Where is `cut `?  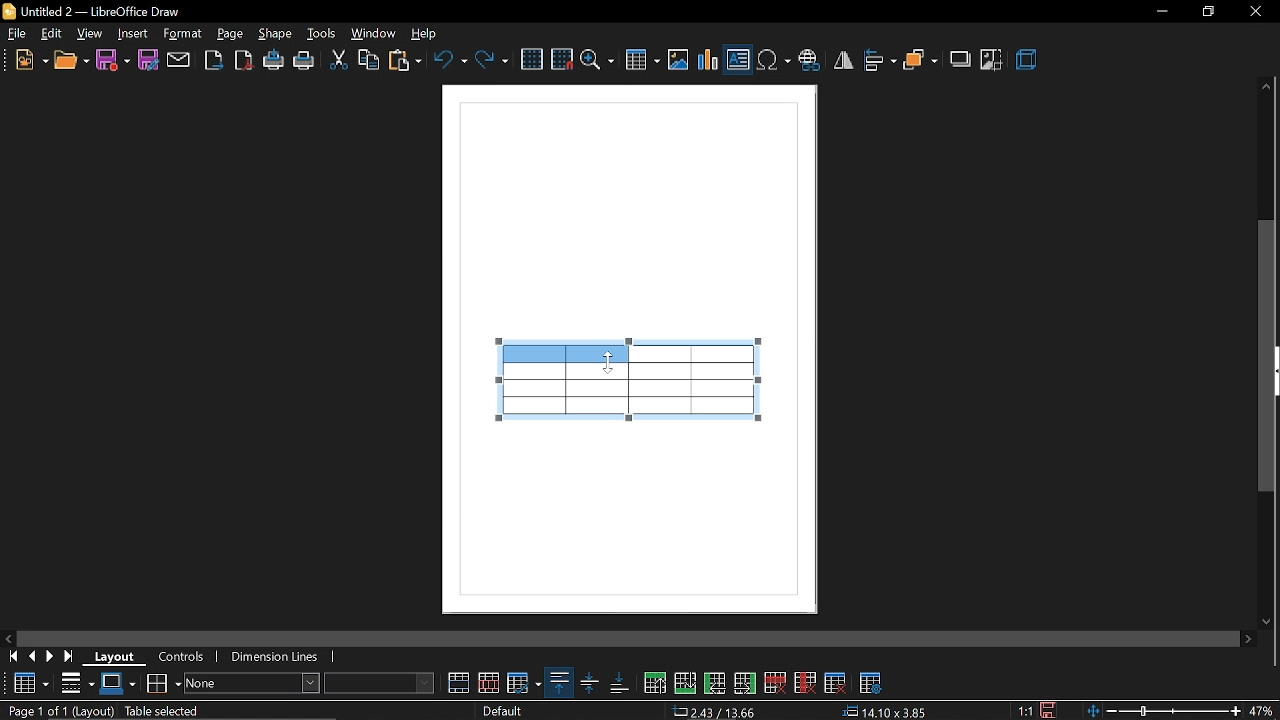
cut  is located at coordinates (340, 61).